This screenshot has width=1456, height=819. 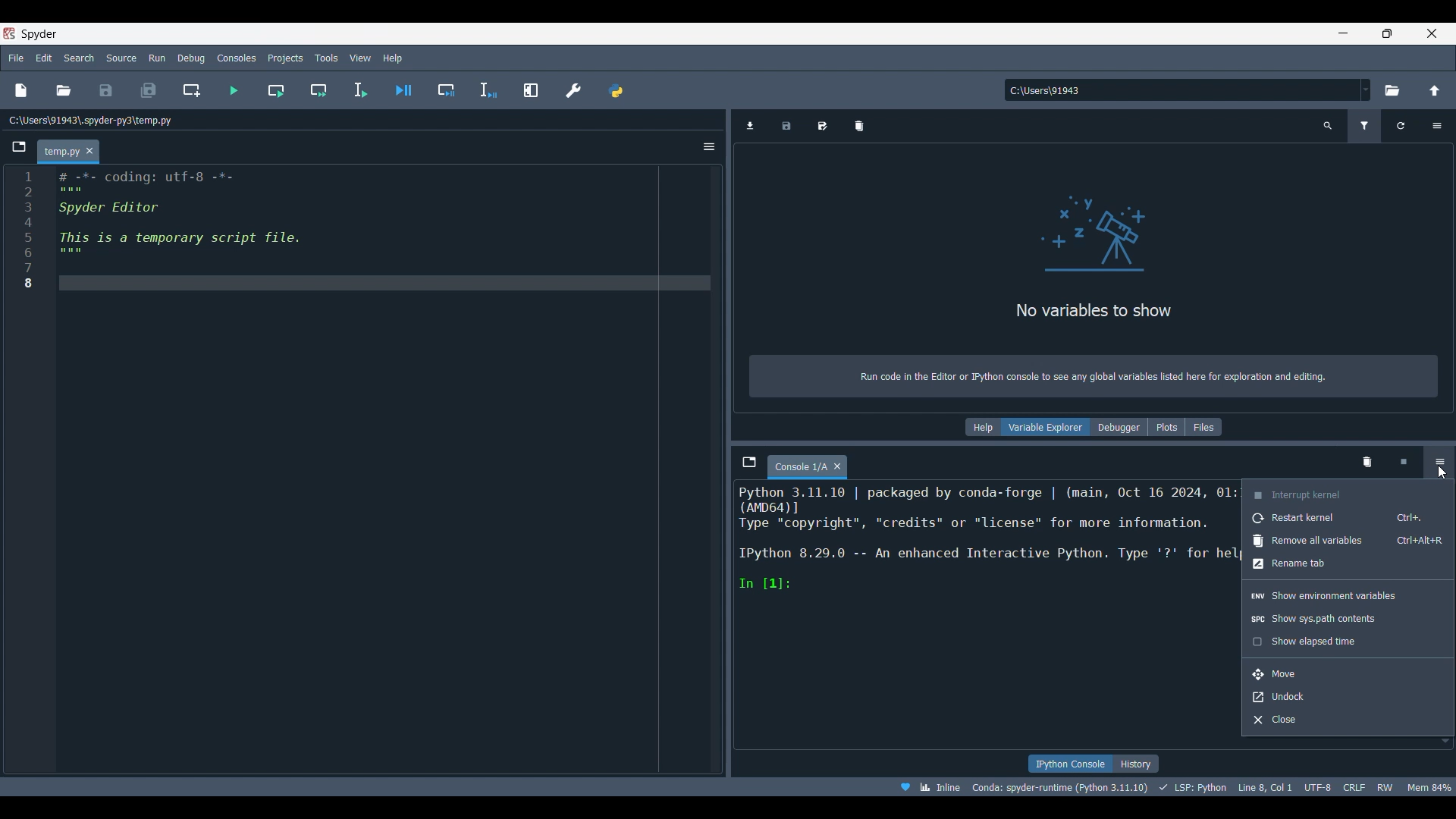 What do you see at coordinates (1348, 720) in the screenshot?
I see `Close` at bounding box center [1348, 720].